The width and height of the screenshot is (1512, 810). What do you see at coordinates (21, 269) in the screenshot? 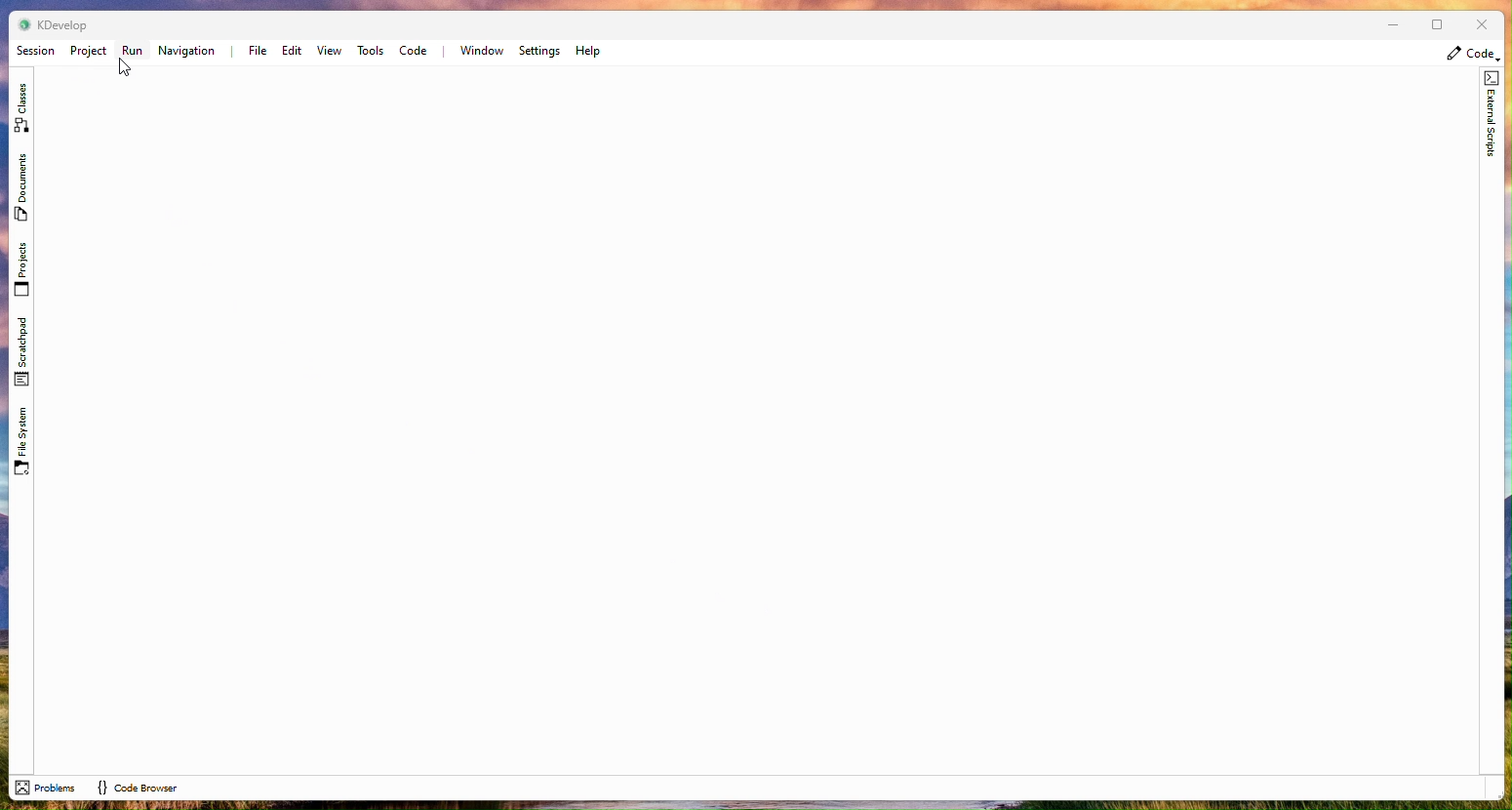
I see `Projects` at bounding box center [21, 269].